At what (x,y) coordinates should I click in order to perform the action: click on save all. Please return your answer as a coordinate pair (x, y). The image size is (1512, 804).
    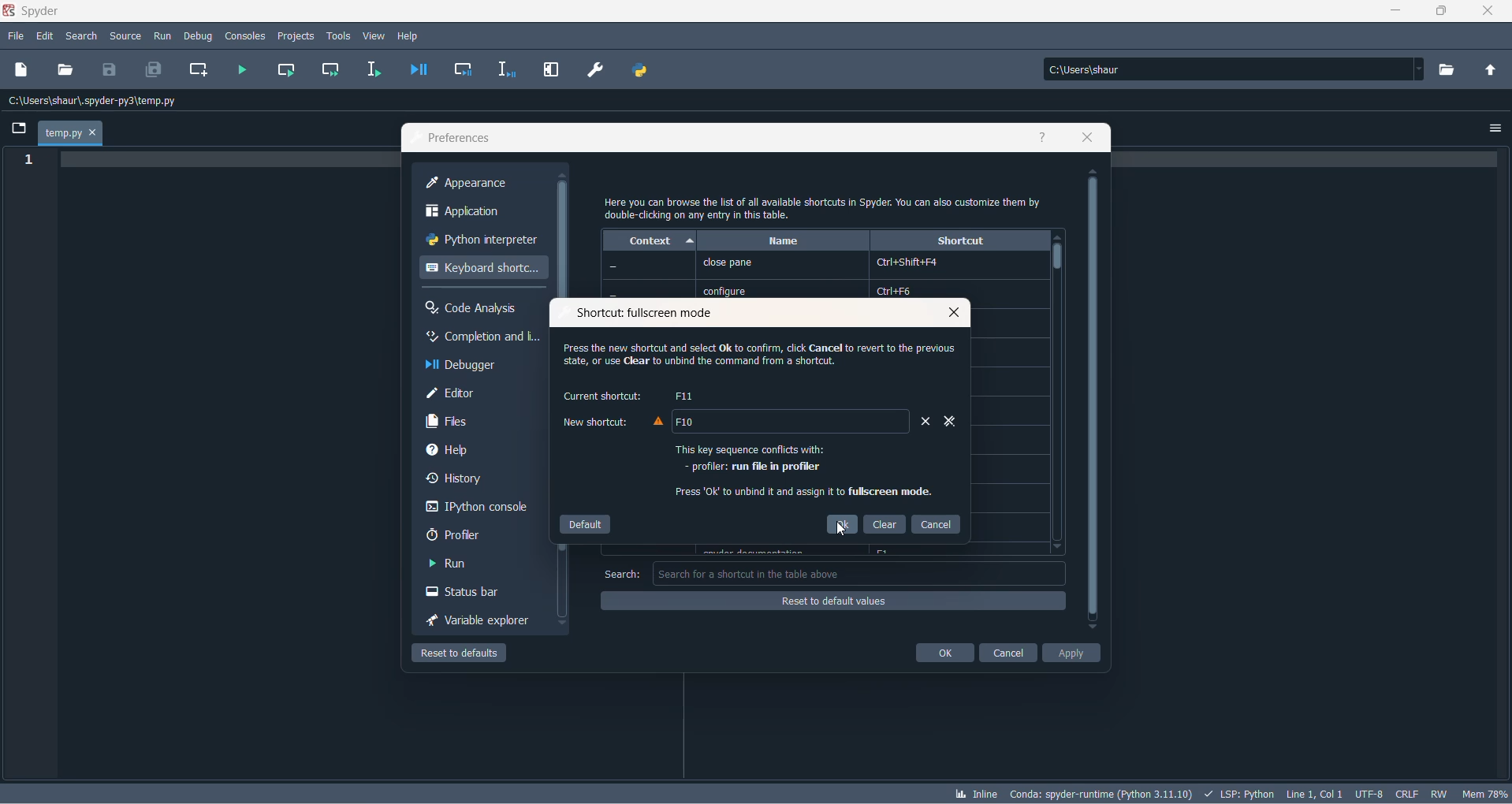
    Looking at the image, I should click on (151, 71).